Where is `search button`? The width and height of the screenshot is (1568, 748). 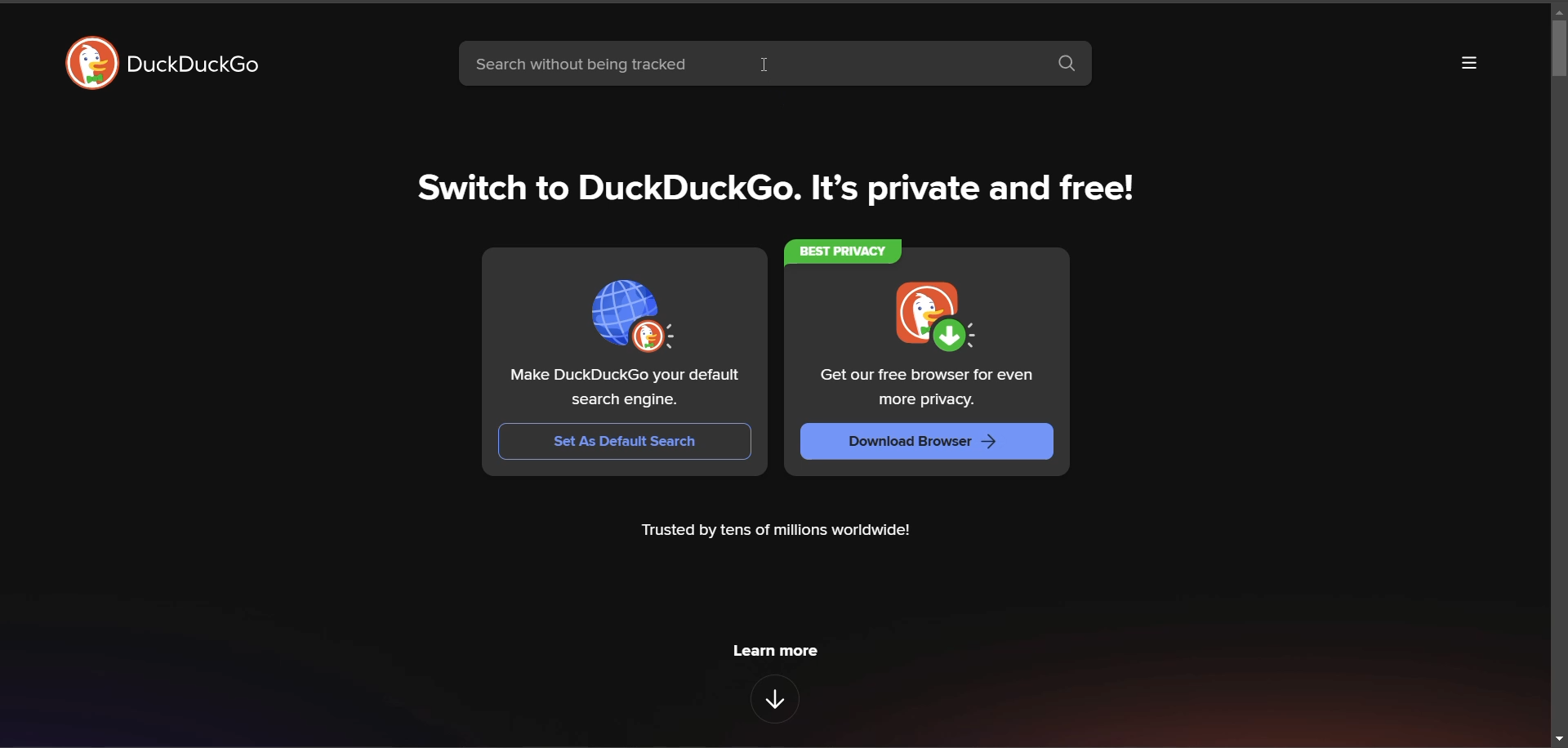 search button is located at coordinates (1067, 65).